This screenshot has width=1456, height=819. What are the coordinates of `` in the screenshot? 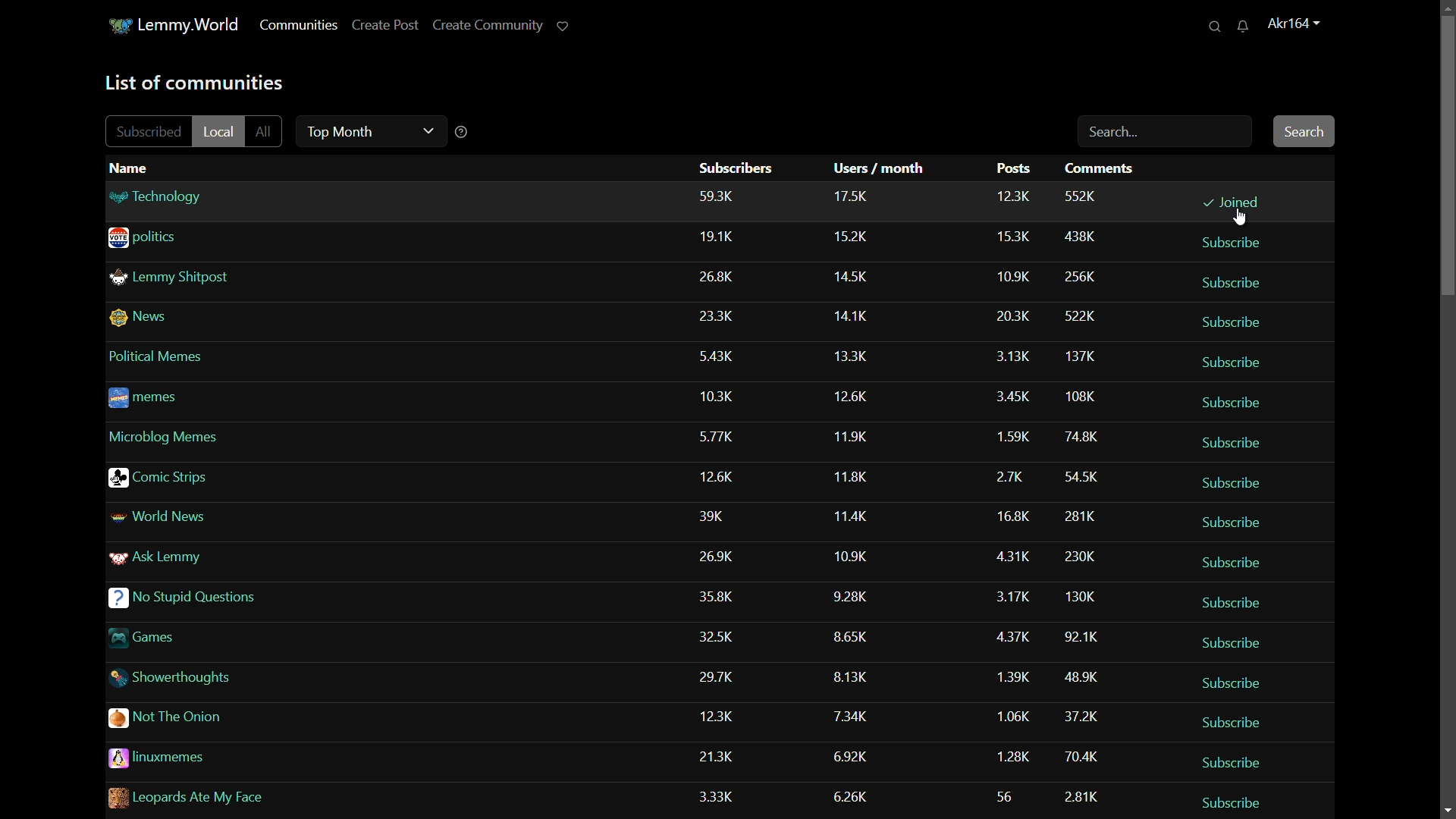 It's located at (852, 435).